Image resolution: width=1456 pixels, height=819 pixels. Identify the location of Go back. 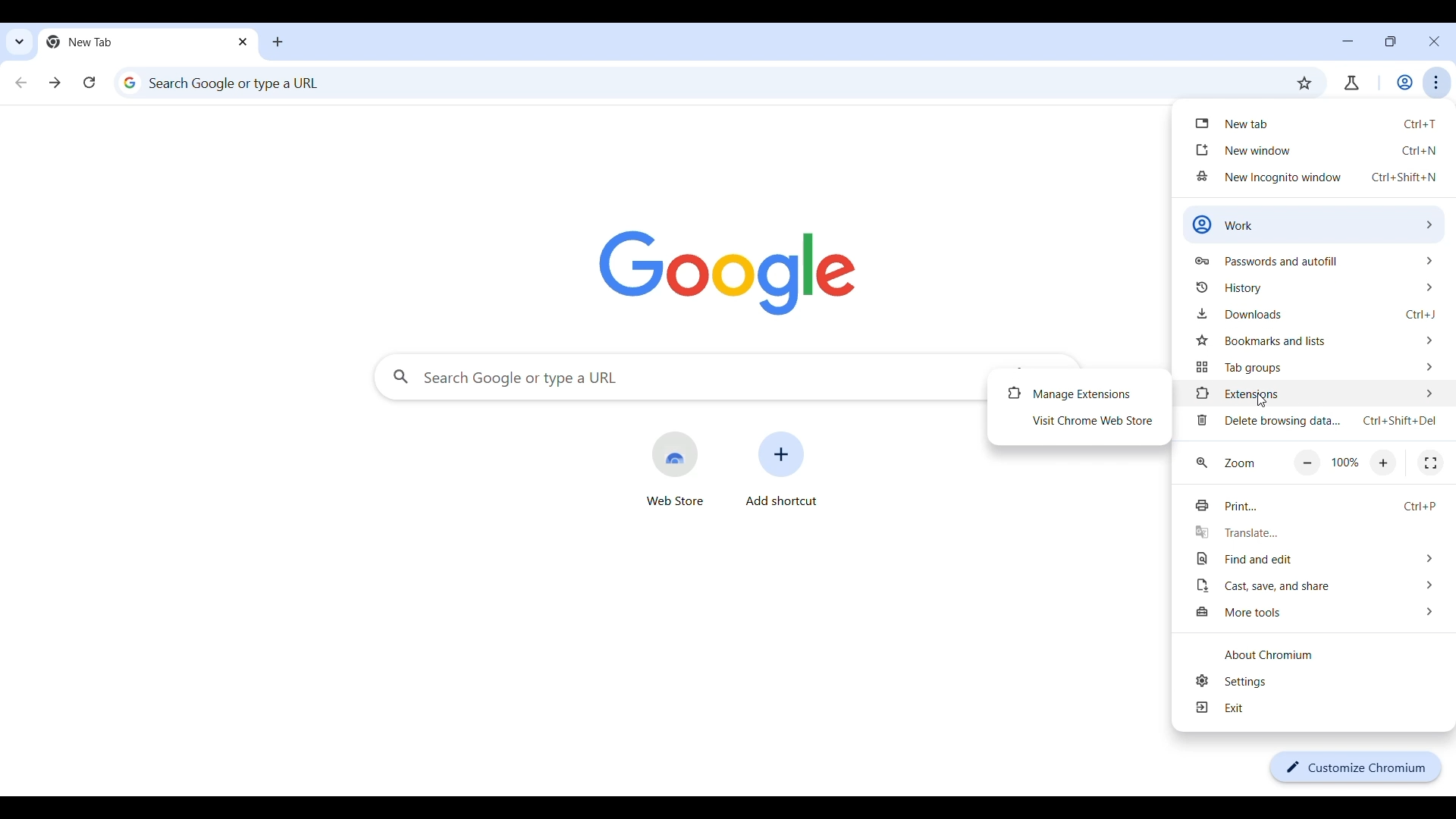
(21, 82).